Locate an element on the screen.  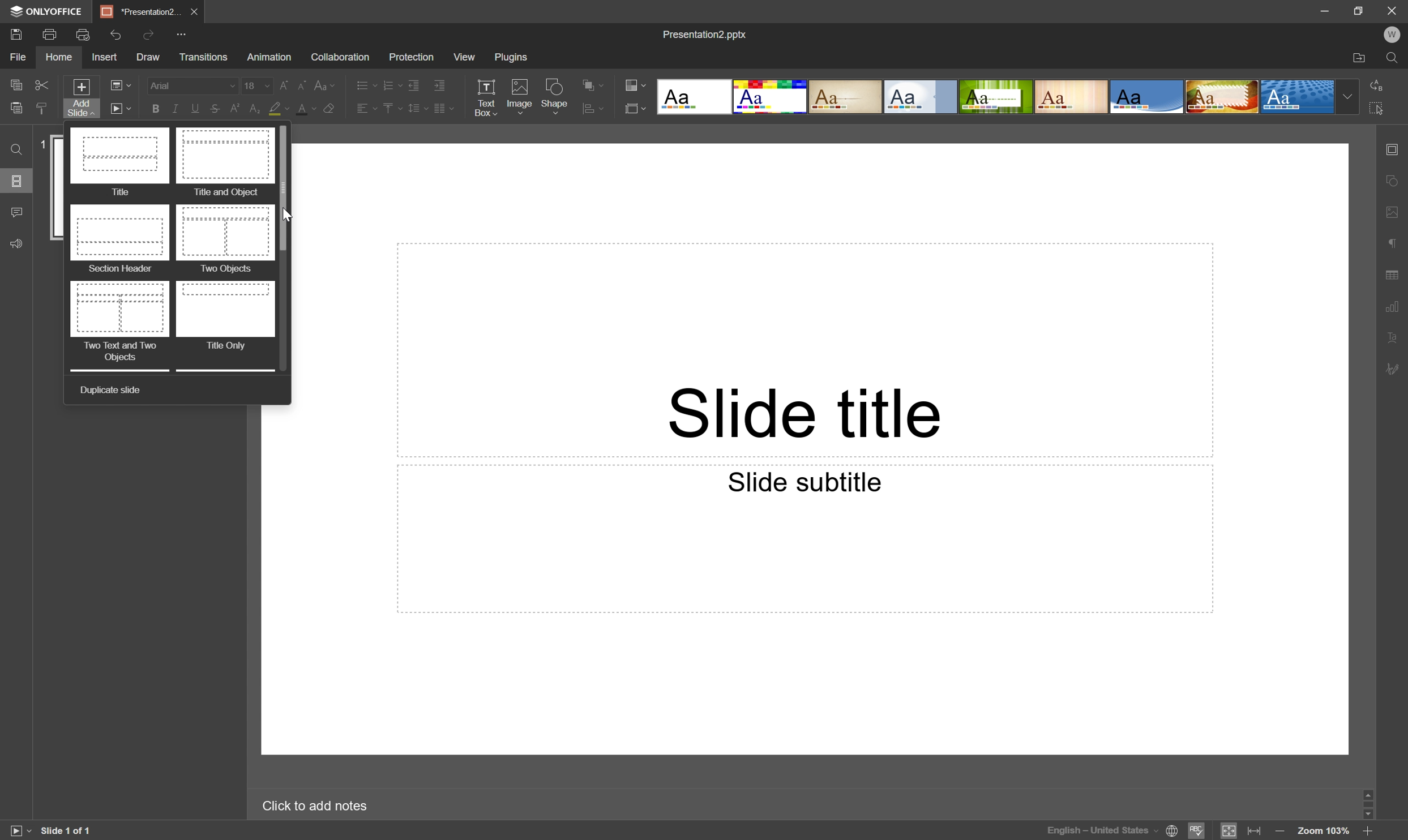
English - United States is located at coordinates (1100, 833).